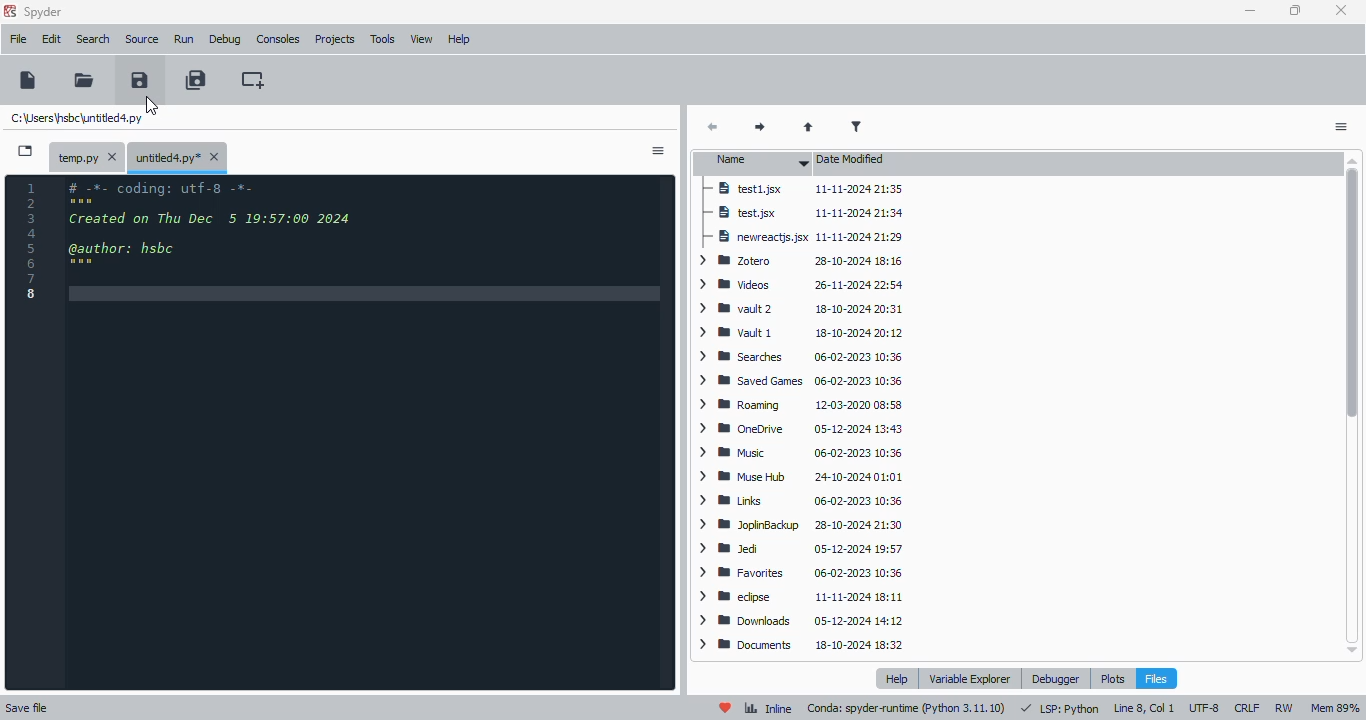 The width and height of the screenshot is (1366, 720). What do you see at coordinates (714, 128) in the screenshot?
I see `back` at bounding box center [714, 128].